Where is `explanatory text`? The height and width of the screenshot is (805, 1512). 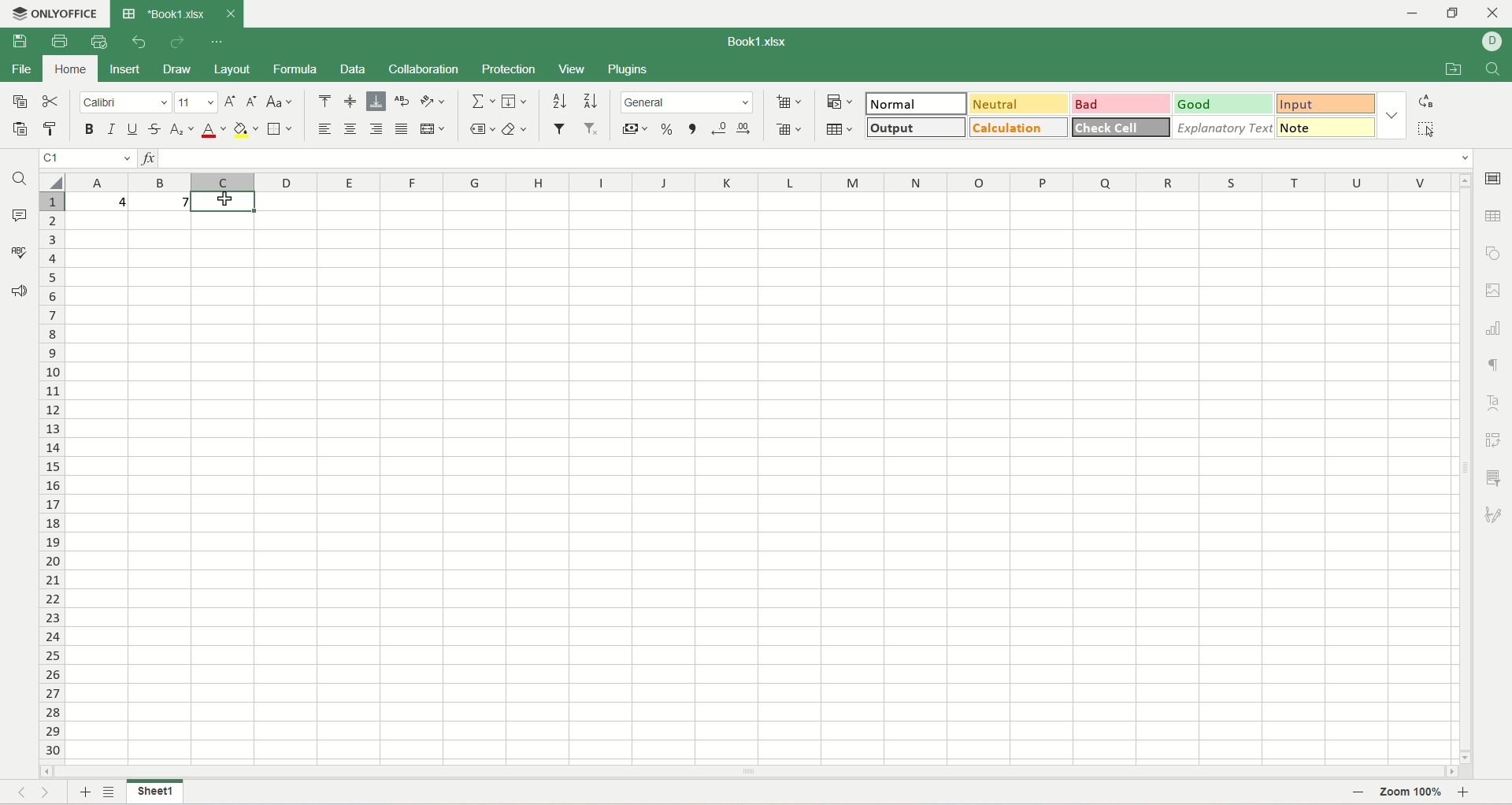
explanatory text is located at coordinates (1224, 127).